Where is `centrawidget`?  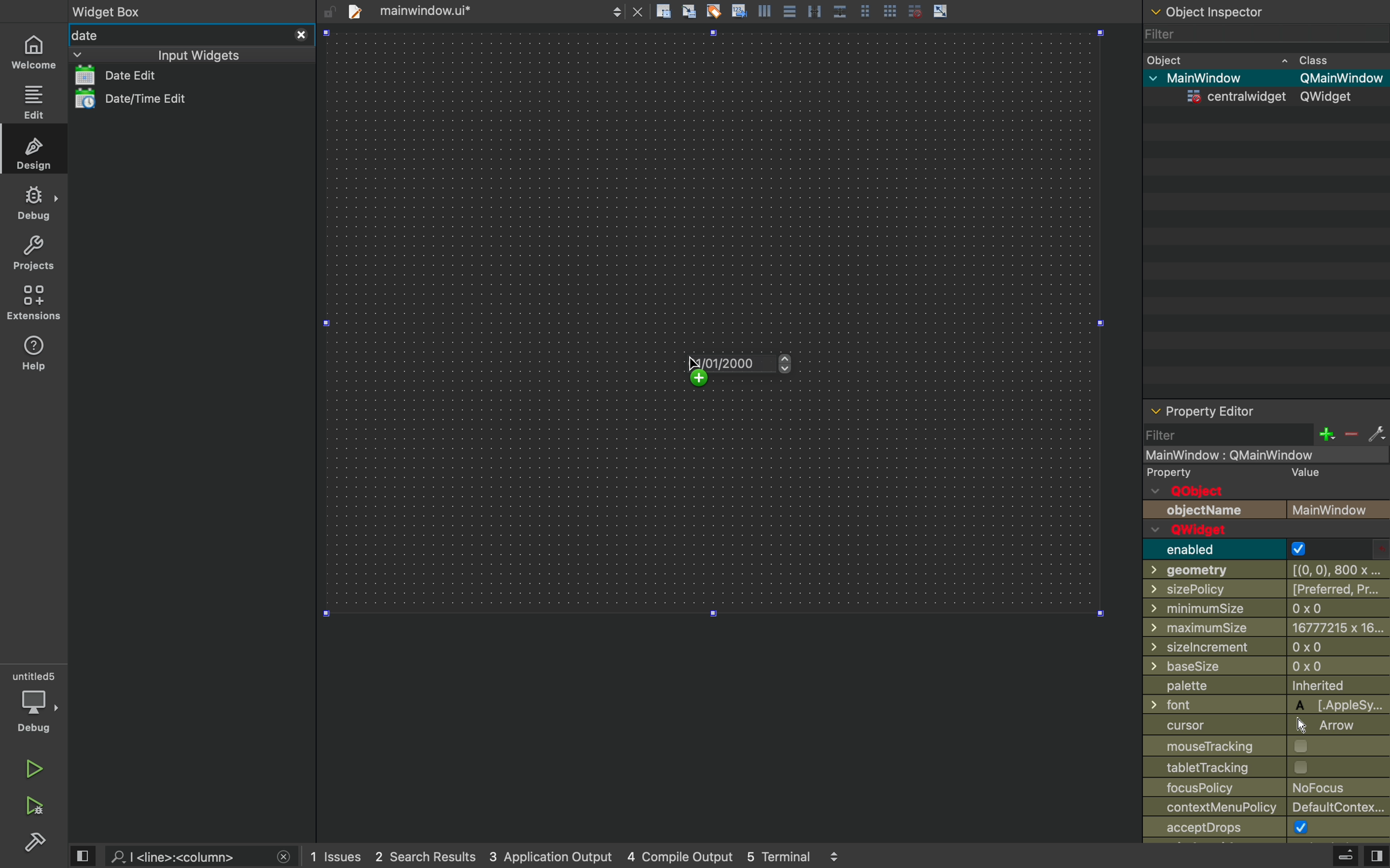 centrawidget is located at coordinates (1269, 100).